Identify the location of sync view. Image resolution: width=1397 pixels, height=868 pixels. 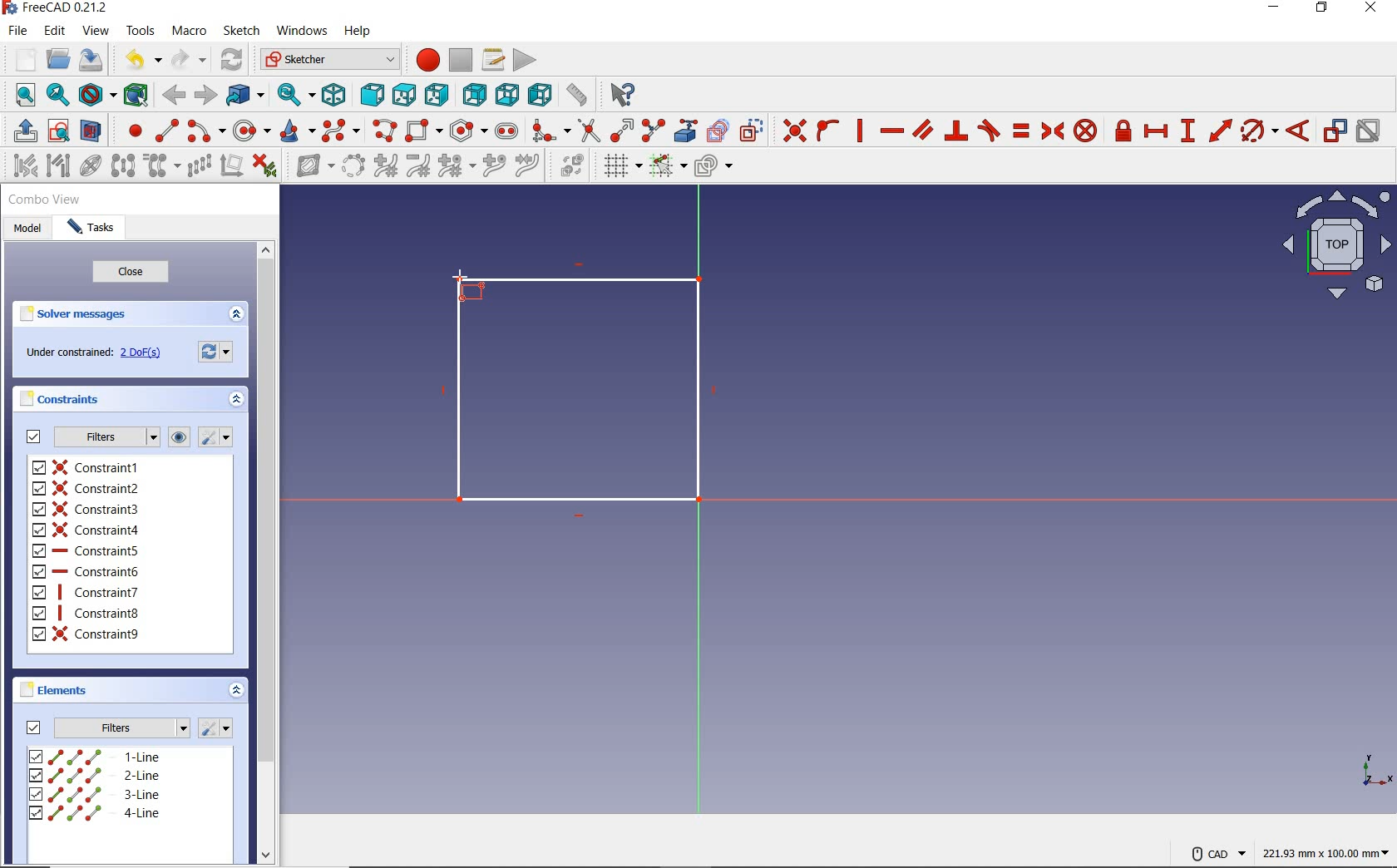
(292, 96).